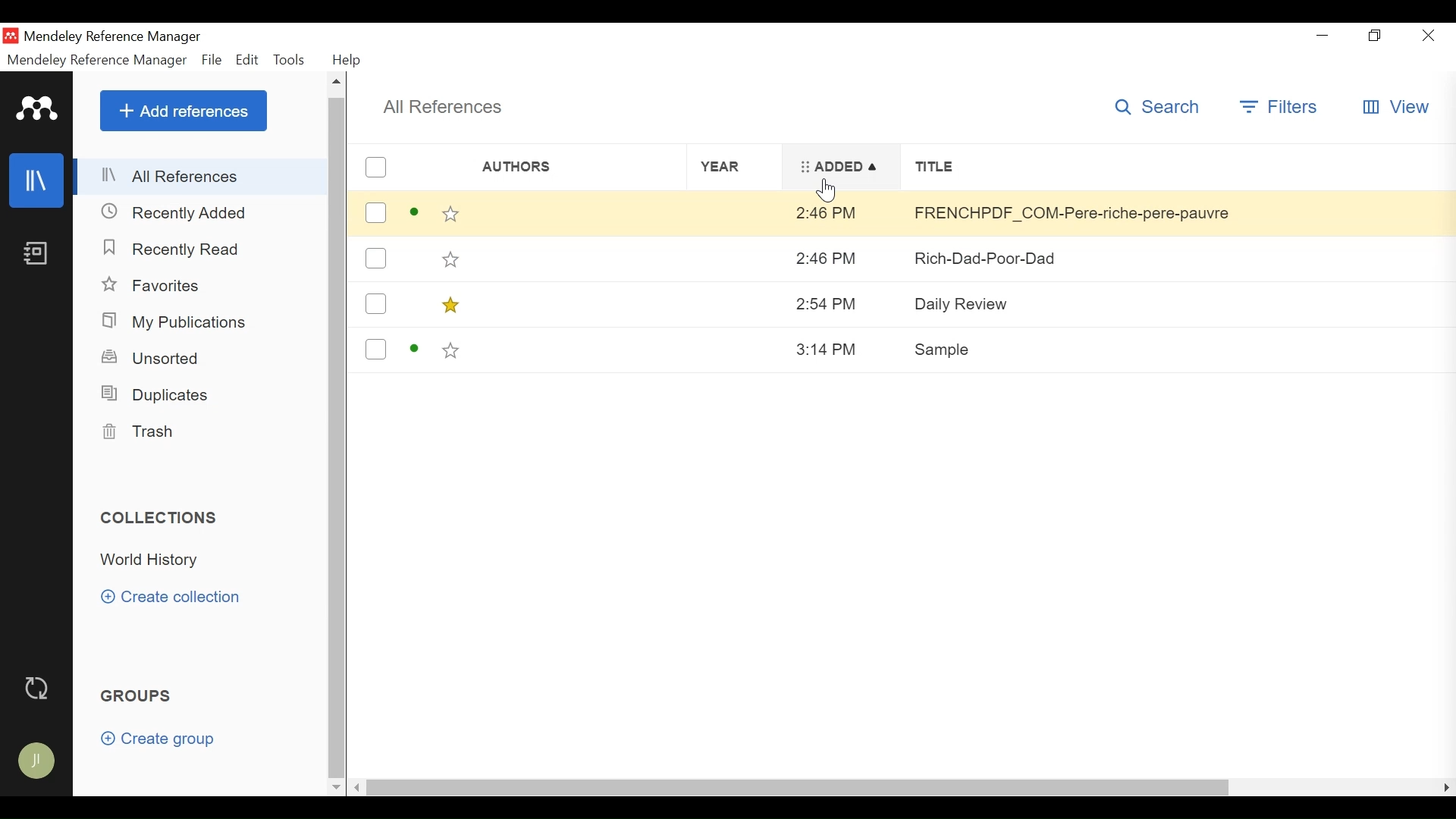  What do you see at coordinates (1178, 215) in the screenshot?
I see `Daily Review` at bounding box center [1178, 215].